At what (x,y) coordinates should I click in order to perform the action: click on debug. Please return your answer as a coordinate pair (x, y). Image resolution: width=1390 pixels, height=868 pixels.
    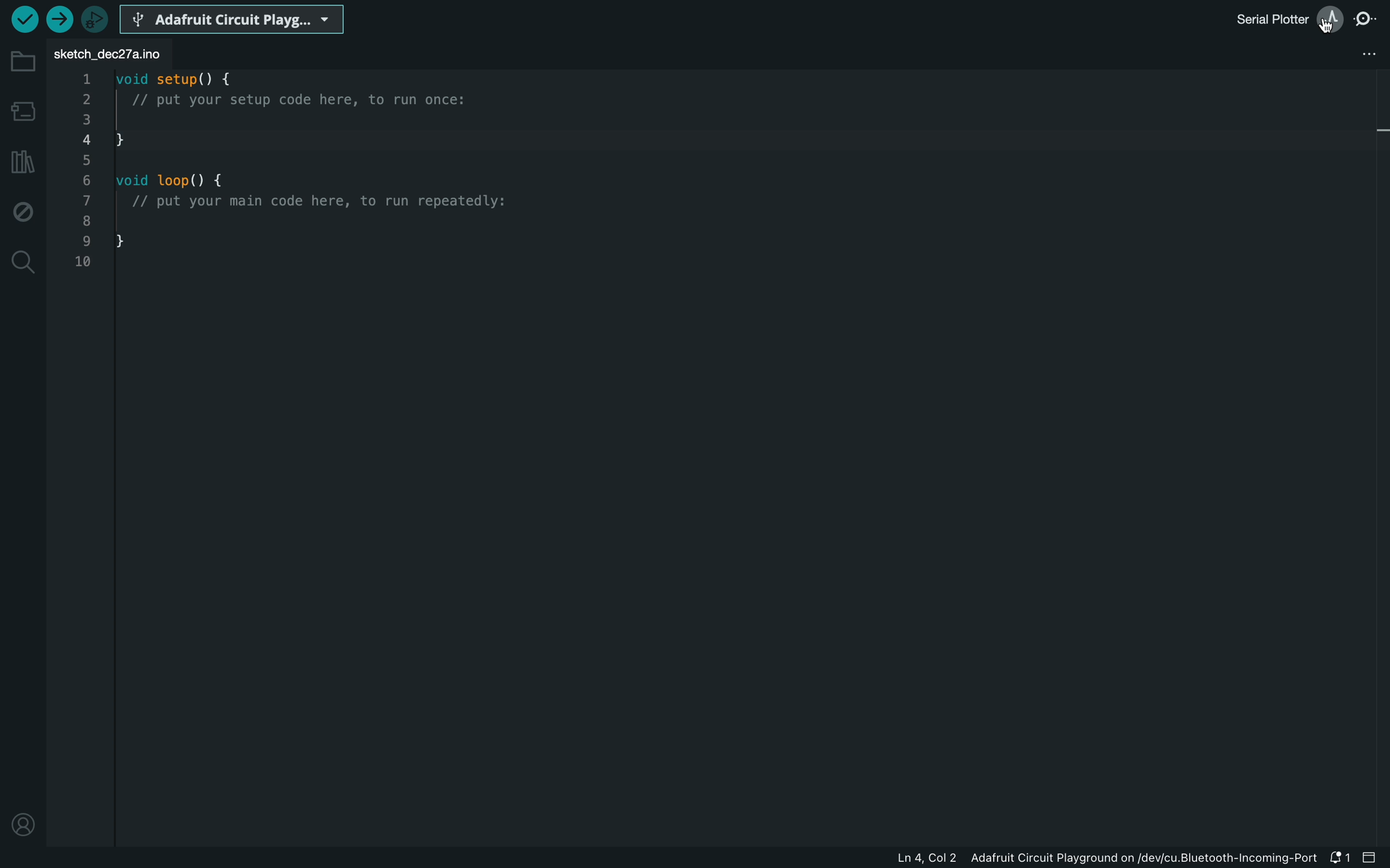
    Looking at the image, I should click on (22, 212).